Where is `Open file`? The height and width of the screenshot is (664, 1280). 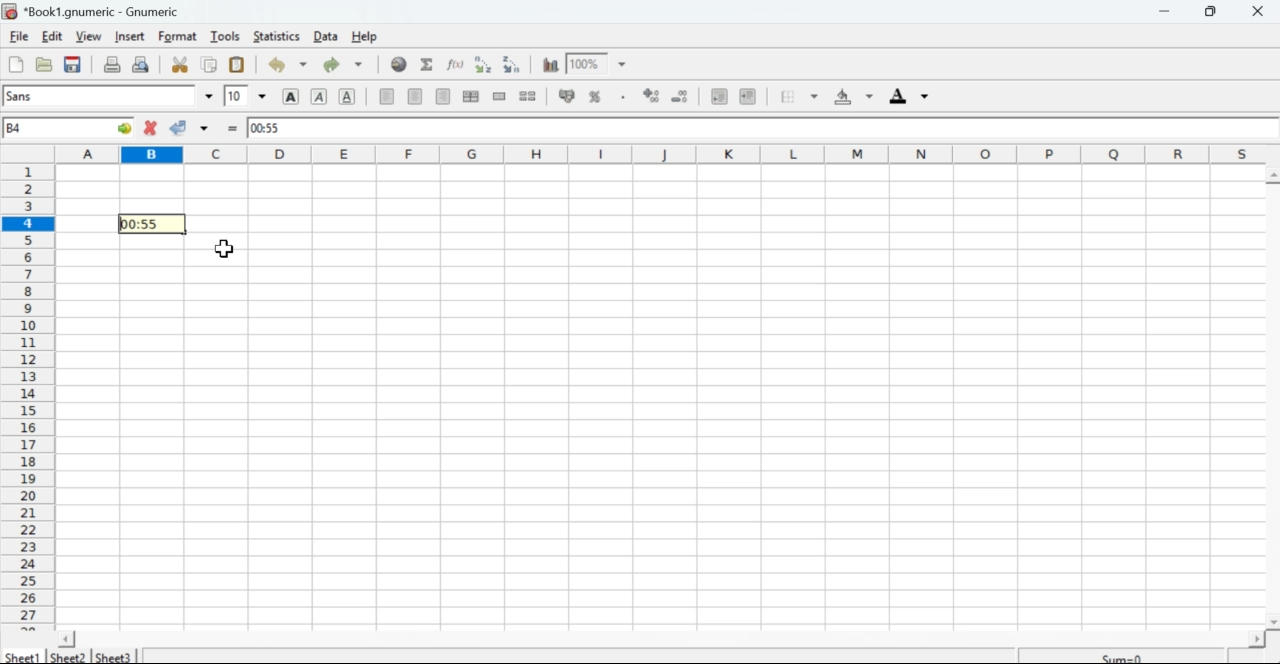 Open file is located at coordinates (45, 67).